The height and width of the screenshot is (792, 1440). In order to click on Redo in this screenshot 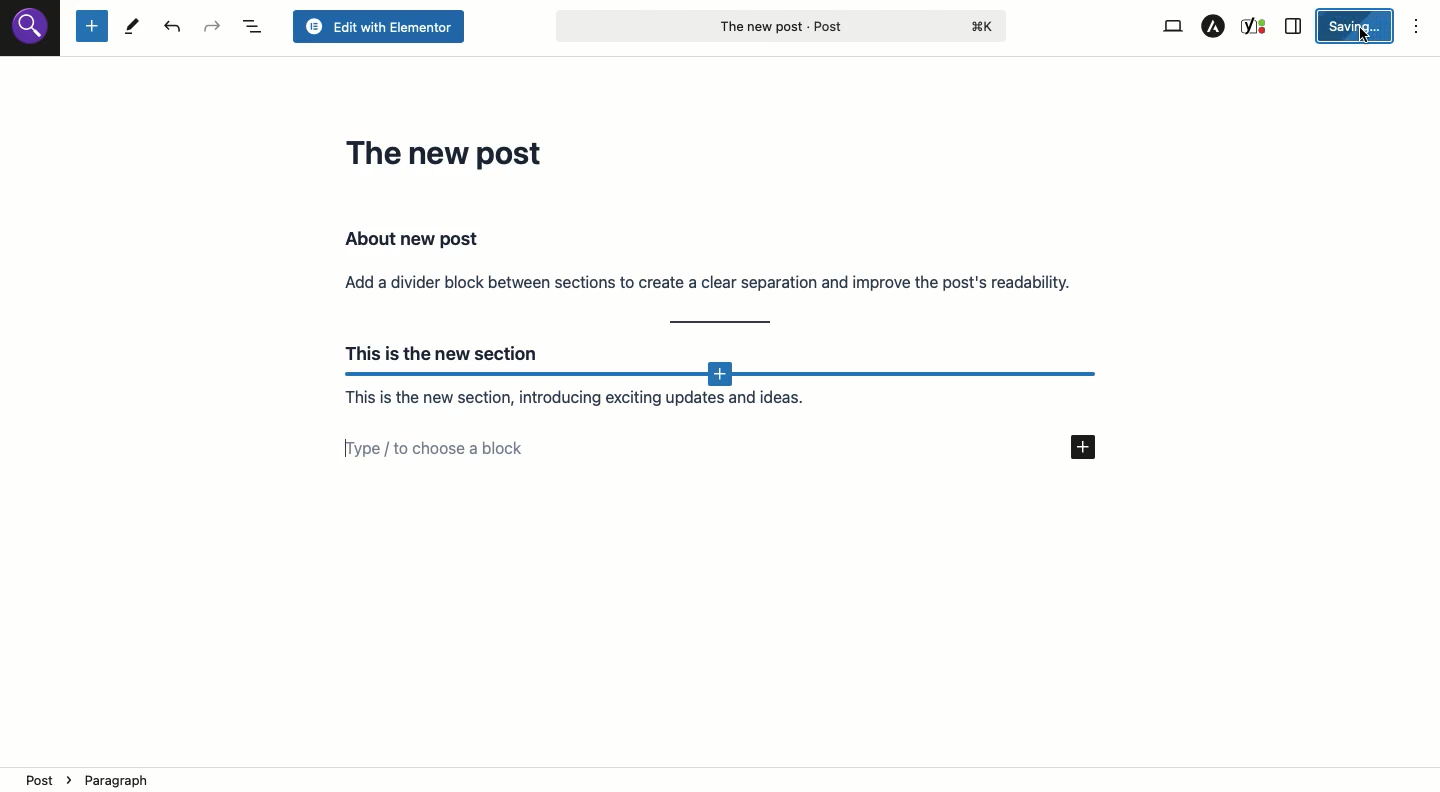, I will do `click(213, 27)`.